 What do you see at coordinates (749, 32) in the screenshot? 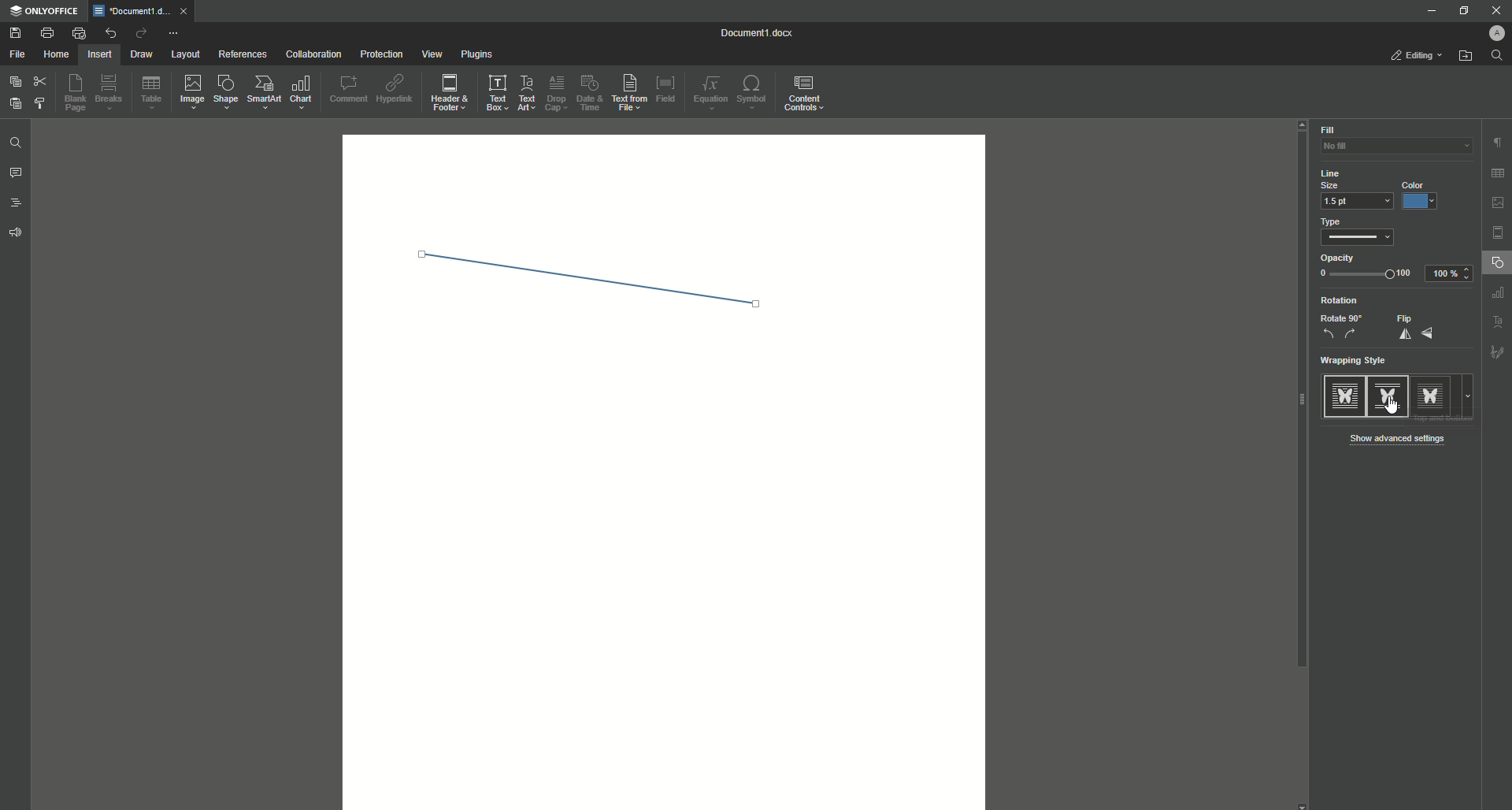
I see `Document1` at bounding box center [749, 32].